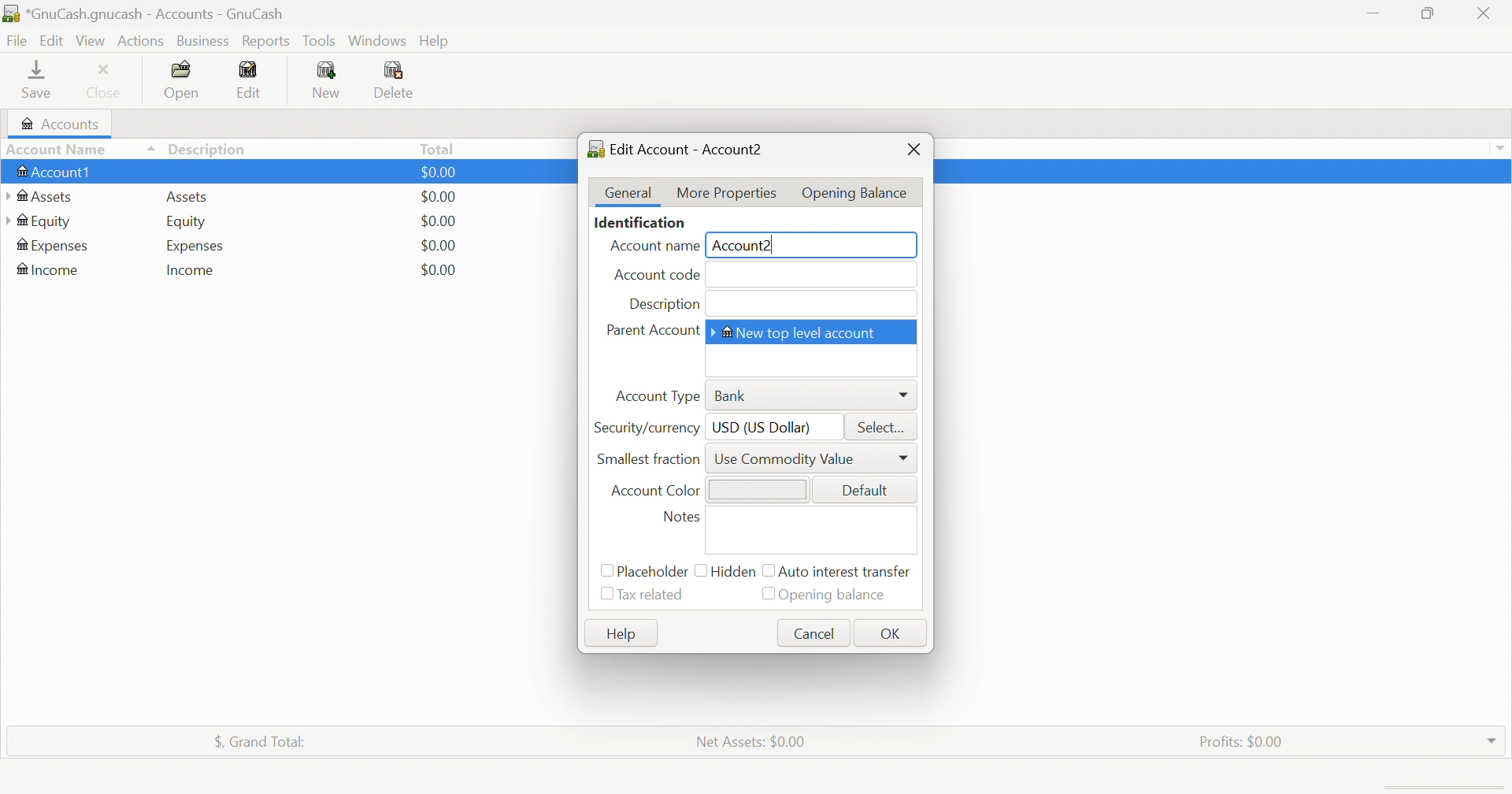 The height and width of the screenshot is (794, 1512). What do you see at coordinates (906, 458) in the screenshot?
I see `More` at bounding box center [906, 458].